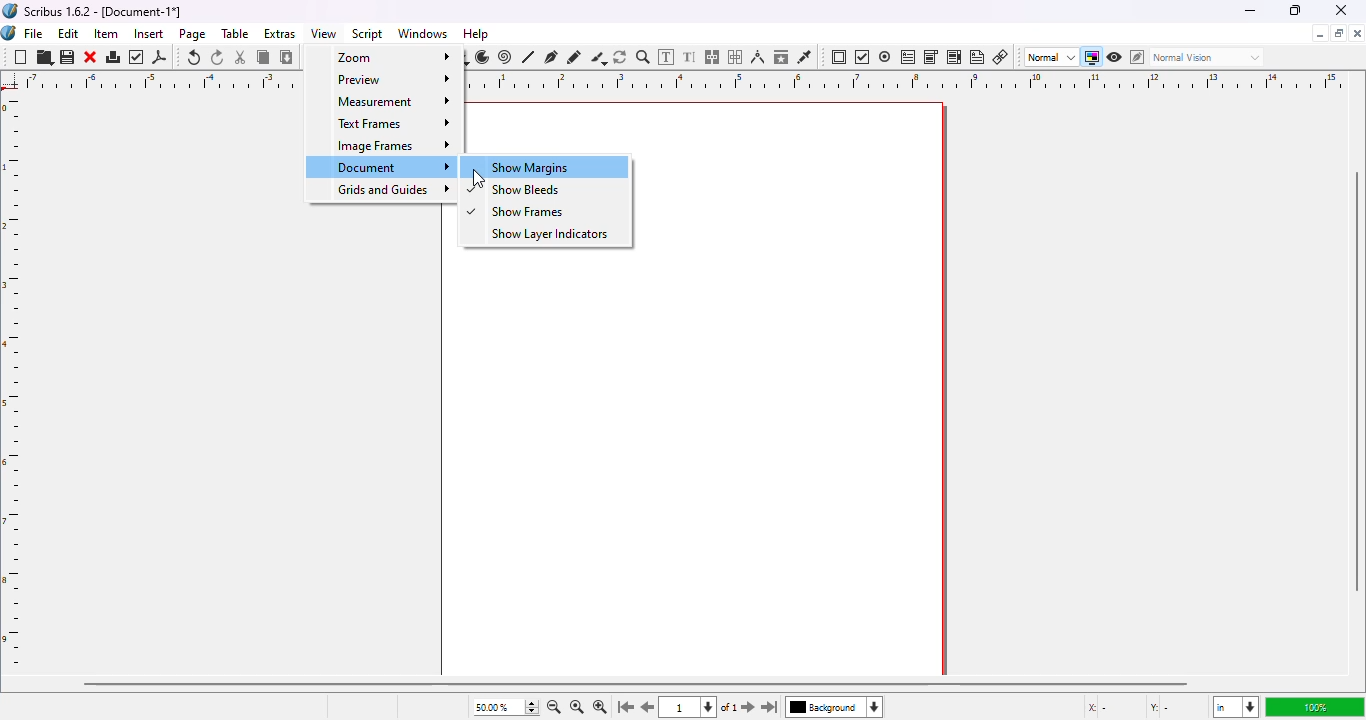 This screenshot has width=1366, height=720. Describe the element at coordinates (690, 57) in the screenshot. I see `edit text with story editor` at that location.